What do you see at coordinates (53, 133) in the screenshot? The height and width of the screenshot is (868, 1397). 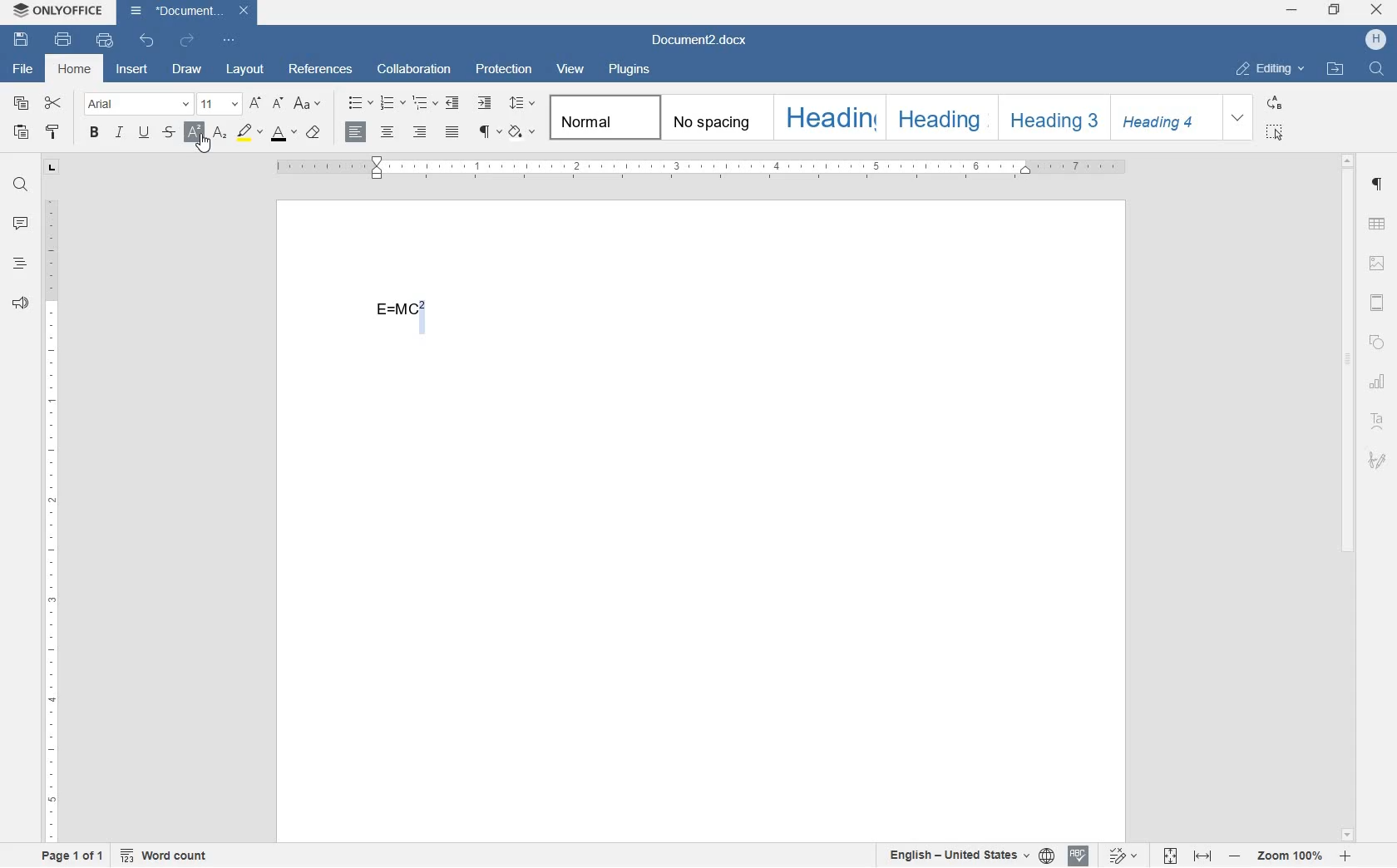 I see `copy style` at bounding box center [53, 133].